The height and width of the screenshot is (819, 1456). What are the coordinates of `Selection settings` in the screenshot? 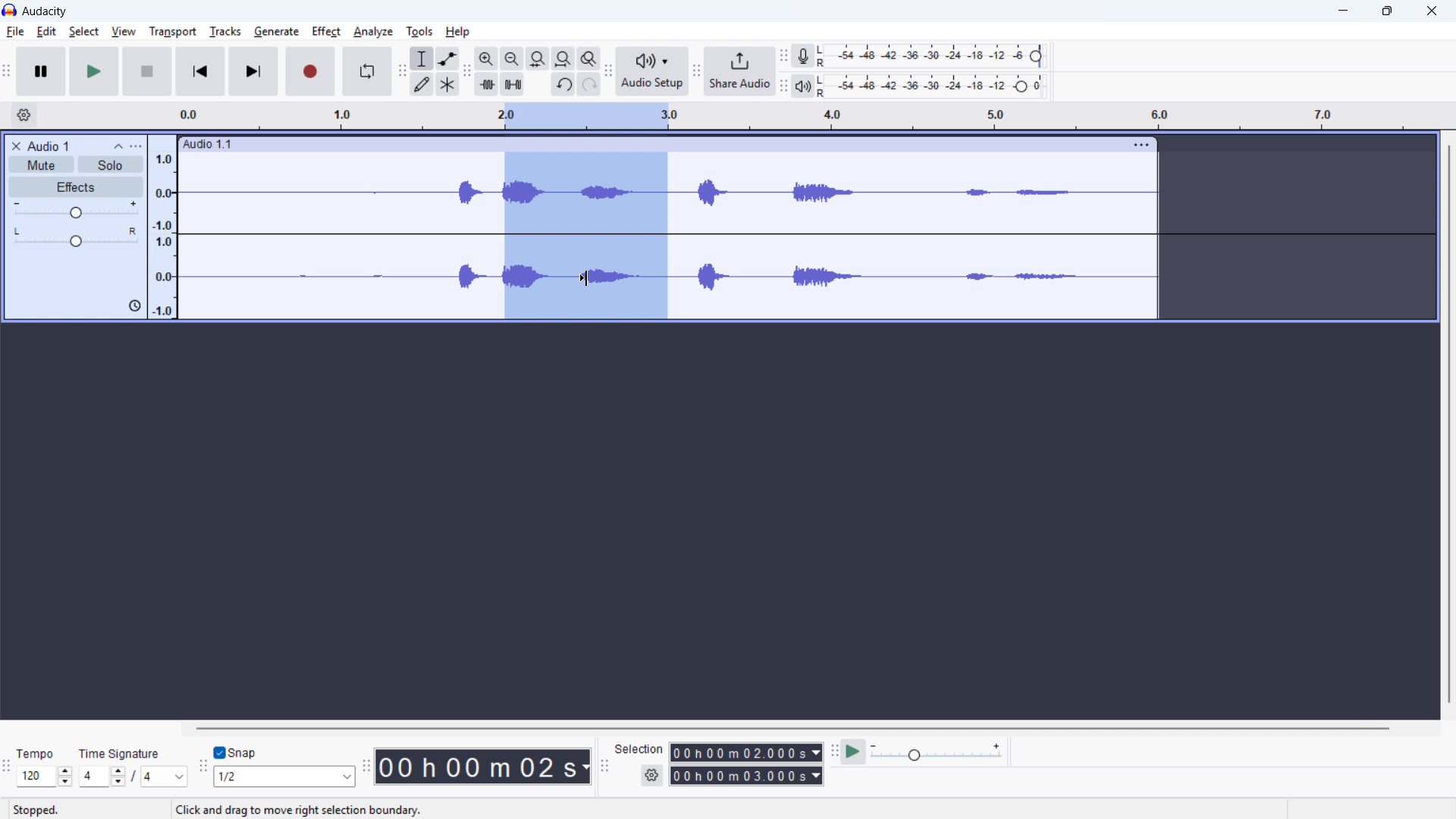 It's located at (652, 774).